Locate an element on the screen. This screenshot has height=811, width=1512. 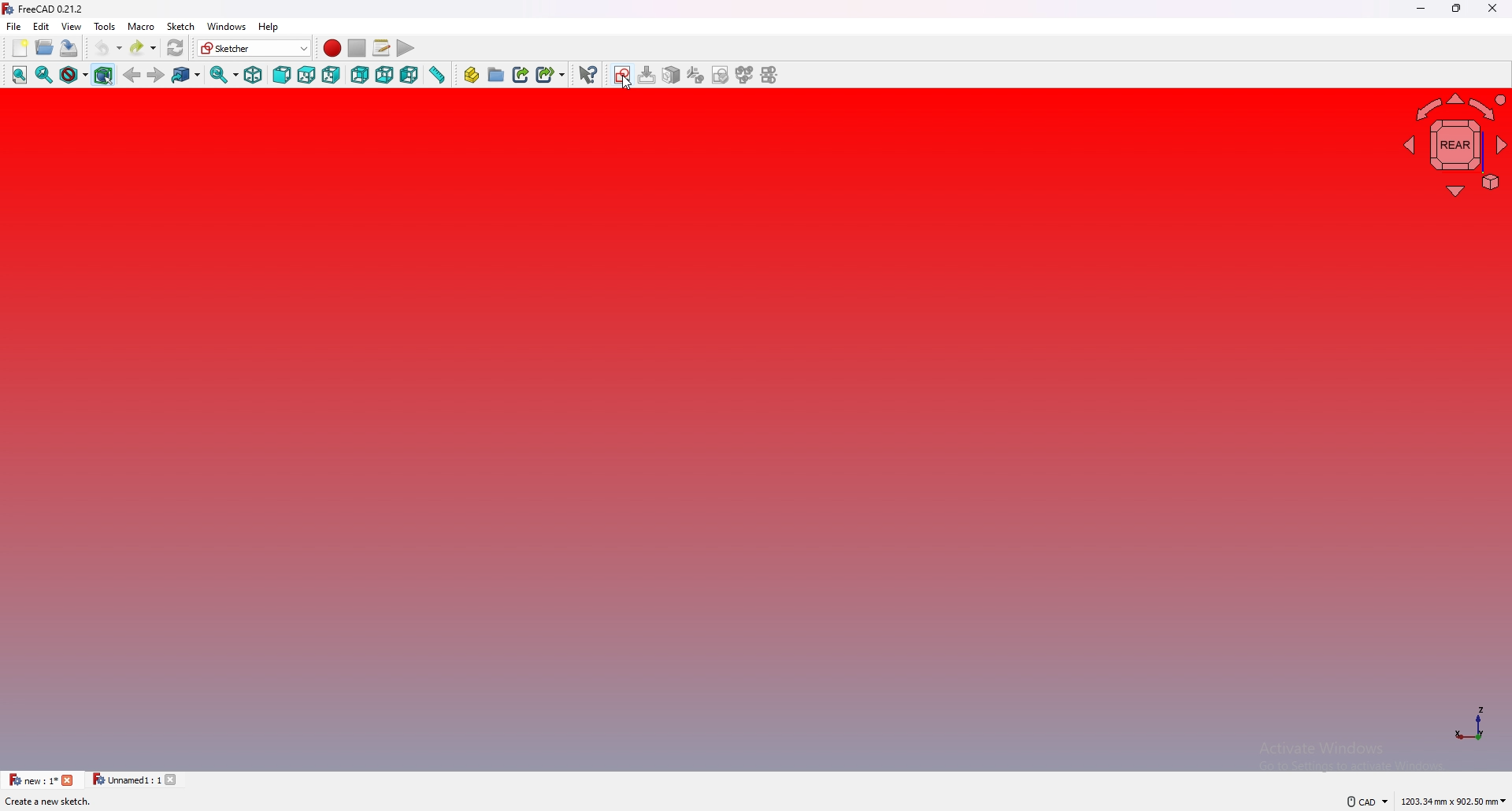
Sketches is located at coordinates (622, 76).